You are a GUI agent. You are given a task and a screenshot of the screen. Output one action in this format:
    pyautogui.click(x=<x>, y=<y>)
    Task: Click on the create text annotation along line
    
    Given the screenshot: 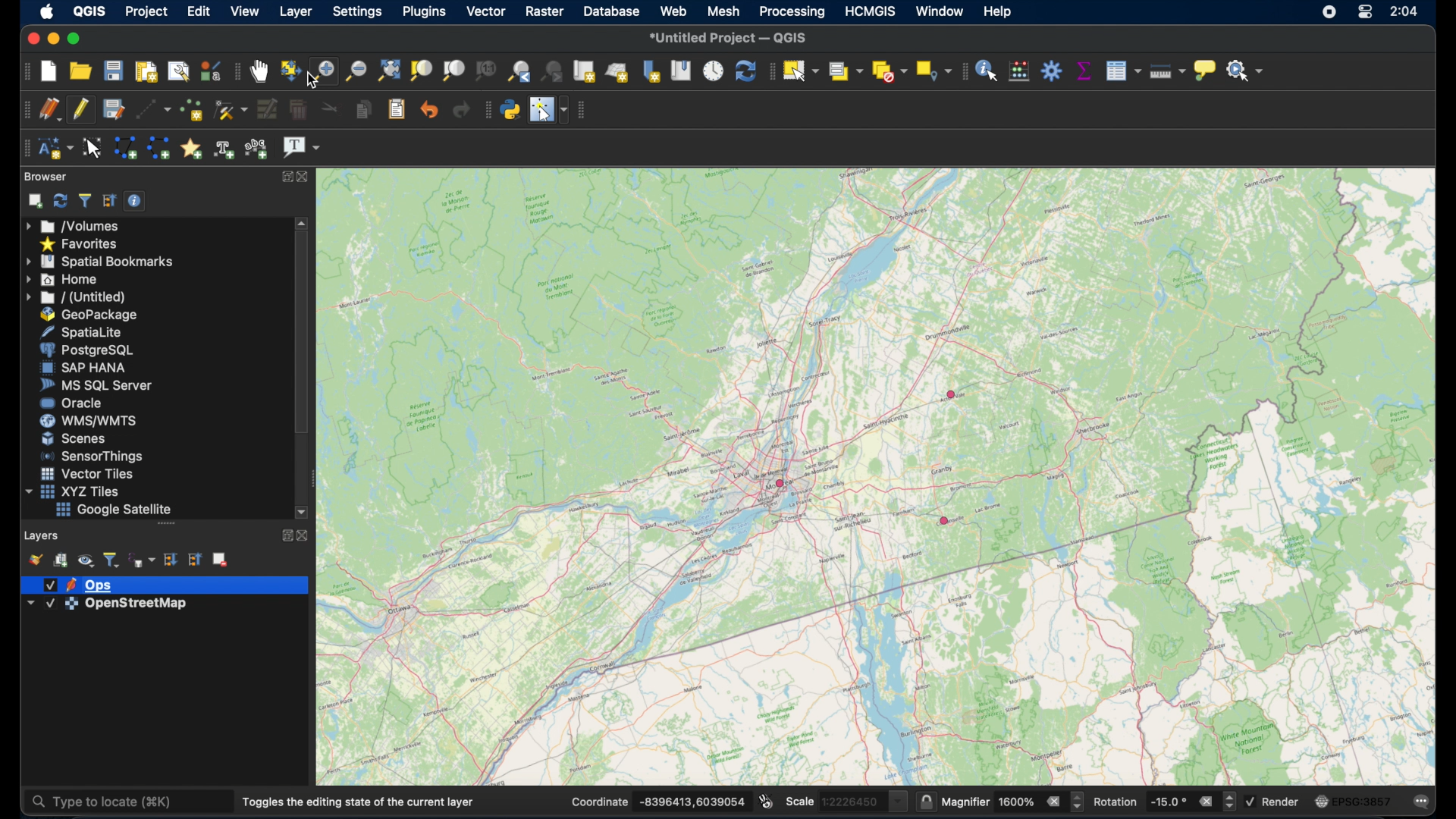 What is the action you would take?
    pyautogui.click(x=258, y=149)
    